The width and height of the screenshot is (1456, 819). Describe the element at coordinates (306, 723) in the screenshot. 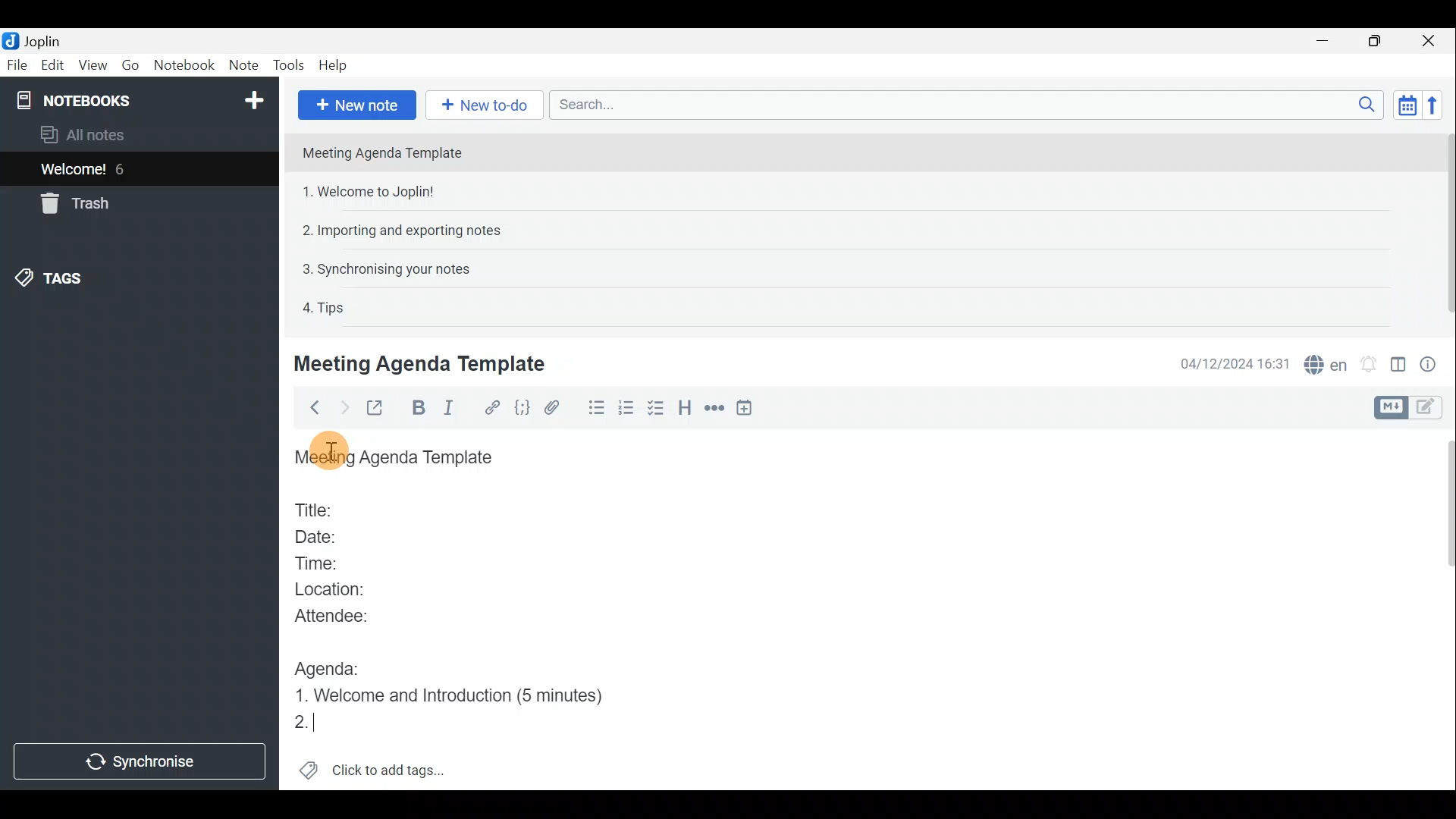

I see `2.` at that location.